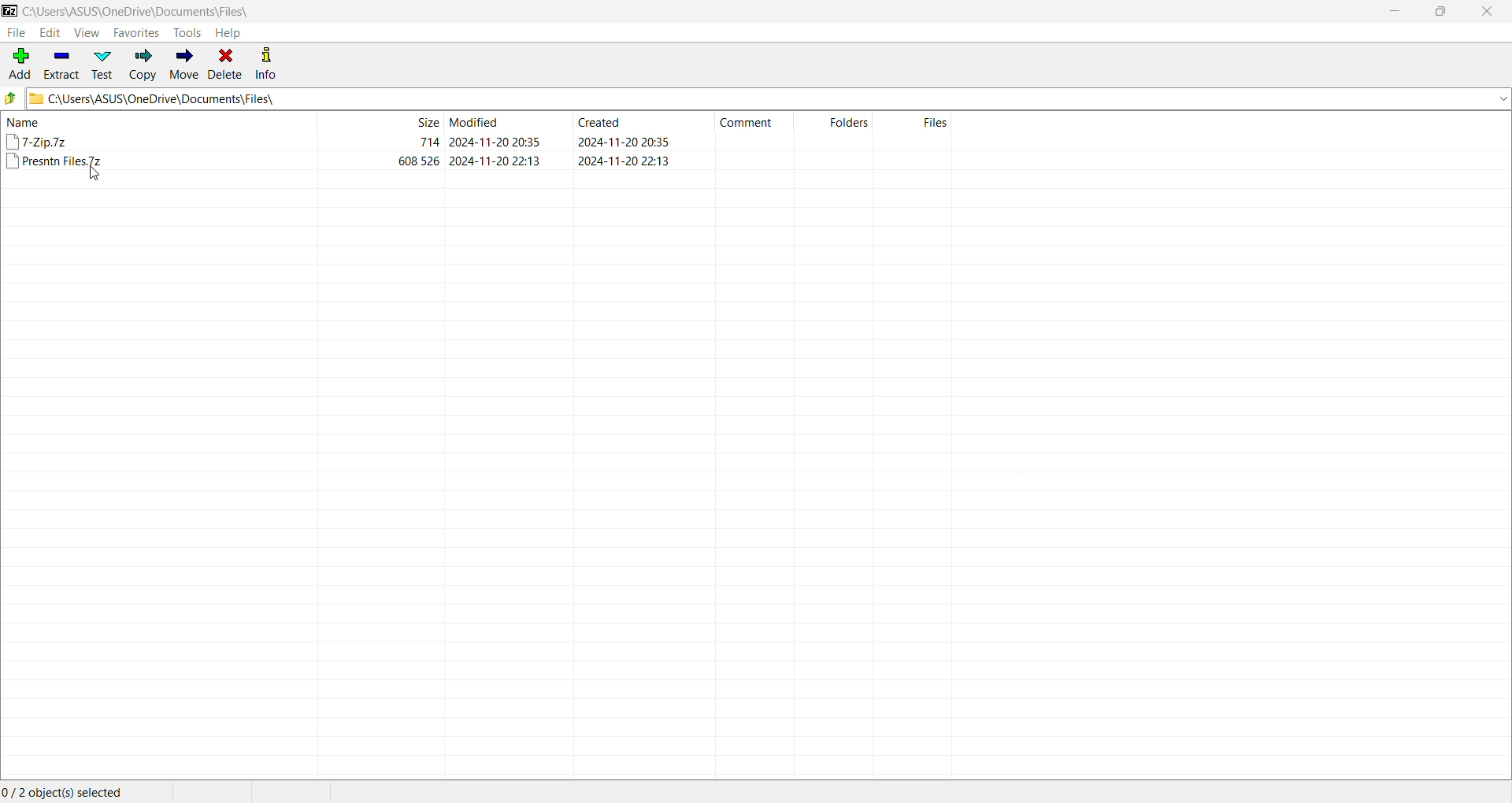  I want to click on Move, so click(185, 65).